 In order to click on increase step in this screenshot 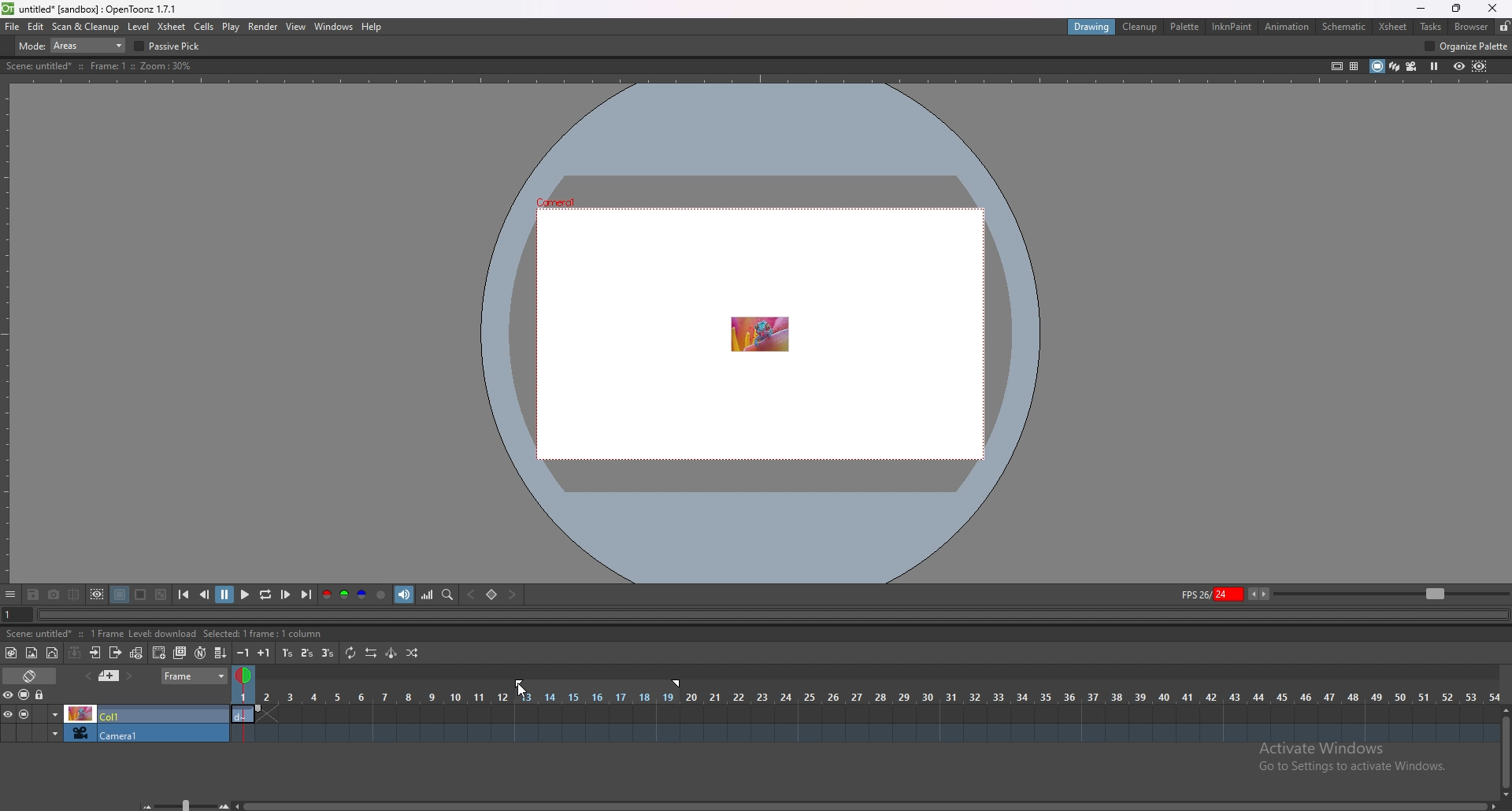, I will do `click(264, 653)`.